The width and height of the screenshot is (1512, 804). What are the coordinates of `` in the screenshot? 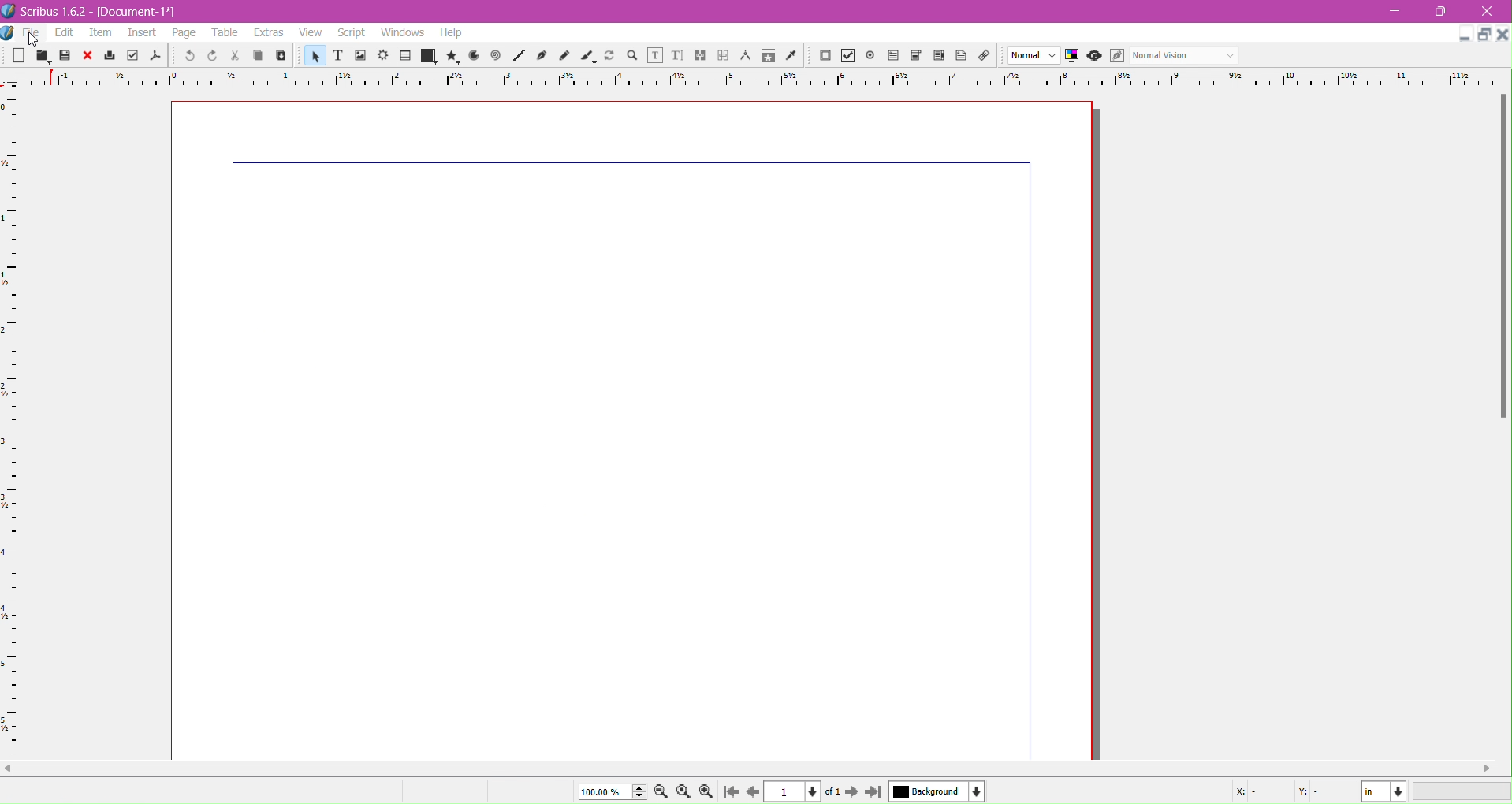 It's located at (156, 56).